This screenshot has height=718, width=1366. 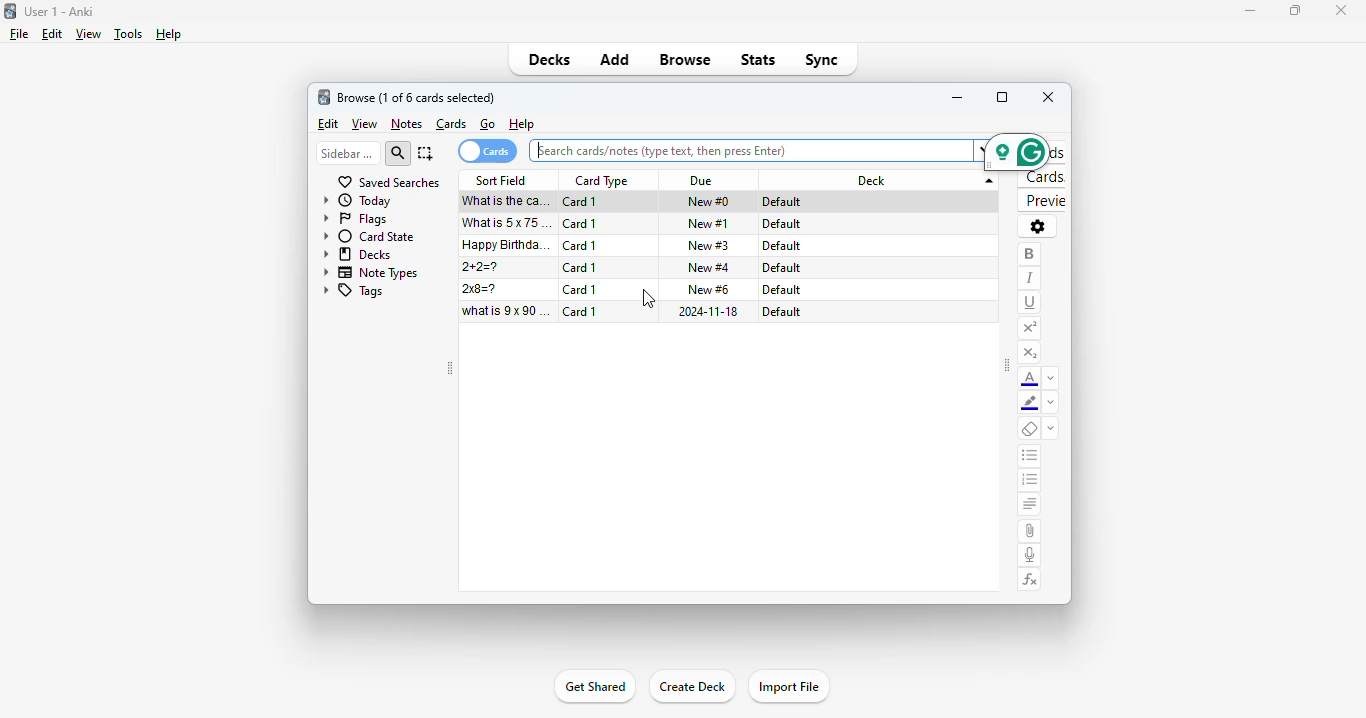 I want to click on User 1 - Anki, so click(x=59, y=11).